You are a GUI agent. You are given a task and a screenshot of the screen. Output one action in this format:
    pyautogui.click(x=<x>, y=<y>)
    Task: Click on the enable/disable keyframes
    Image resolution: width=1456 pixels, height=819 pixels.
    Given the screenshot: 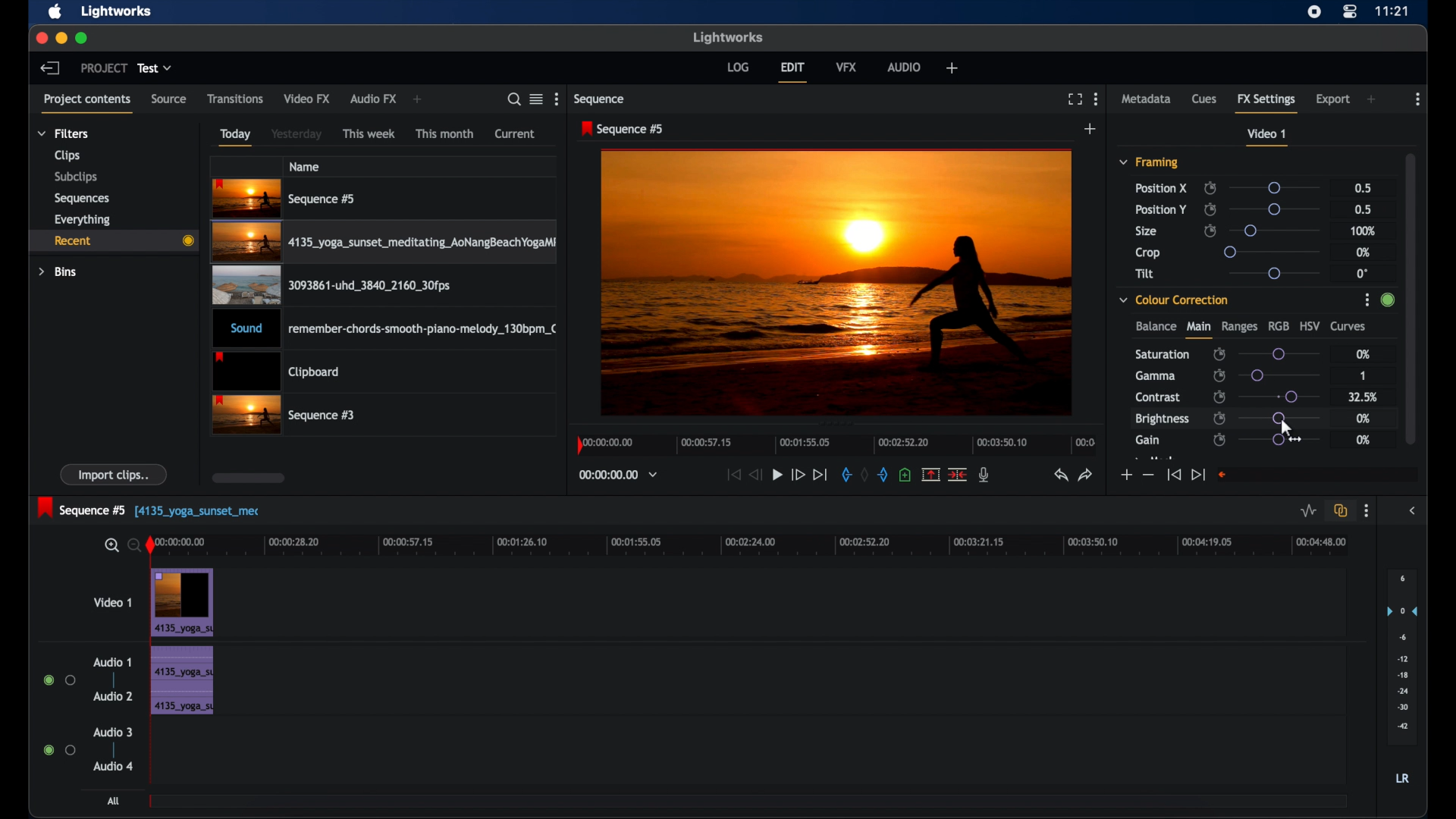 What is the action you would take?
    pyautogui.click(x=1210, y=188)
    